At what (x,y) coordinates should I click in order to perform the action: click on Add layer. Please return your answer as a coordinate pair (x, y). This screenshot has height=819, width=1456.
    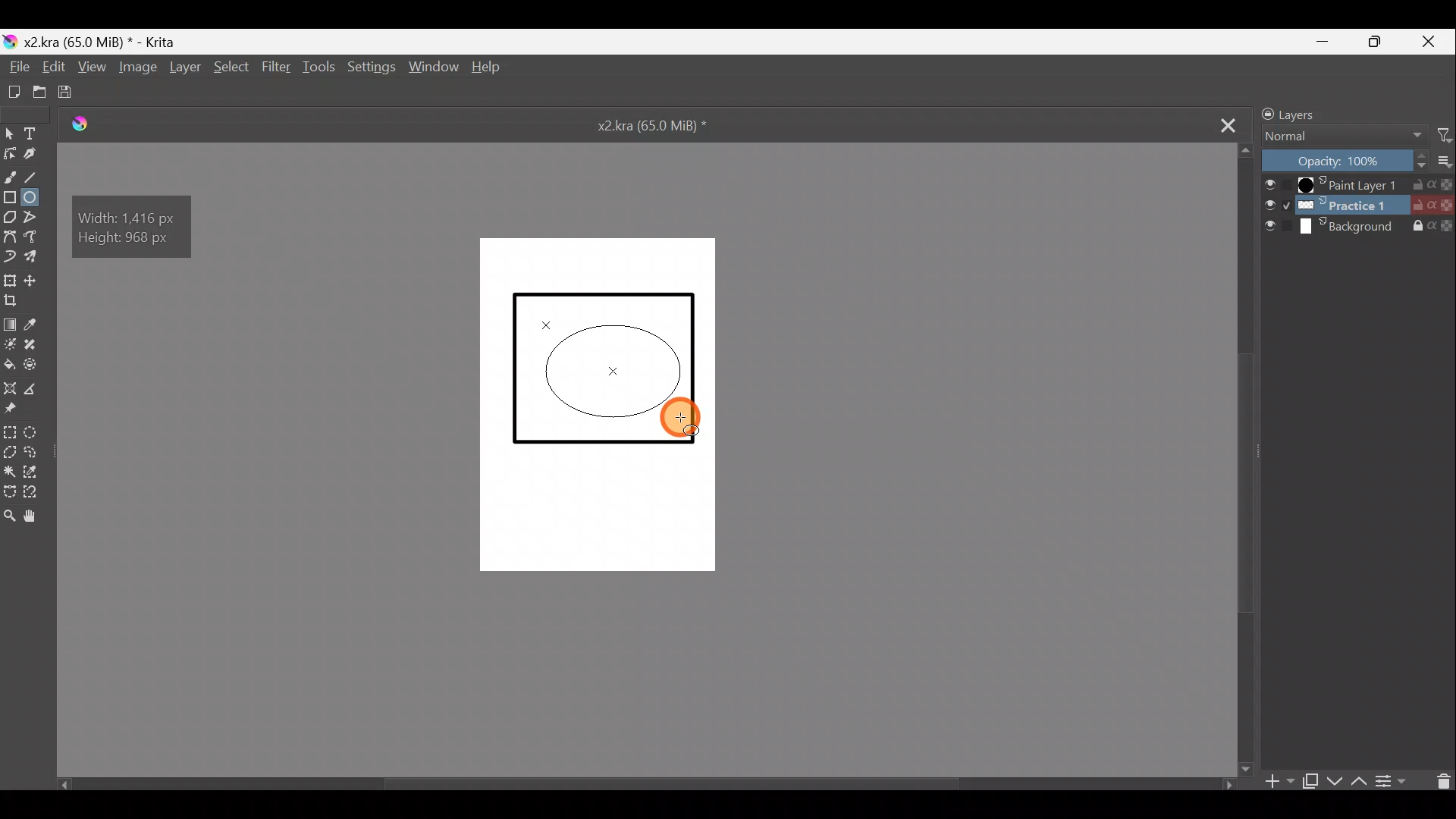
    Looking at the image, I should click on (1275, 781).